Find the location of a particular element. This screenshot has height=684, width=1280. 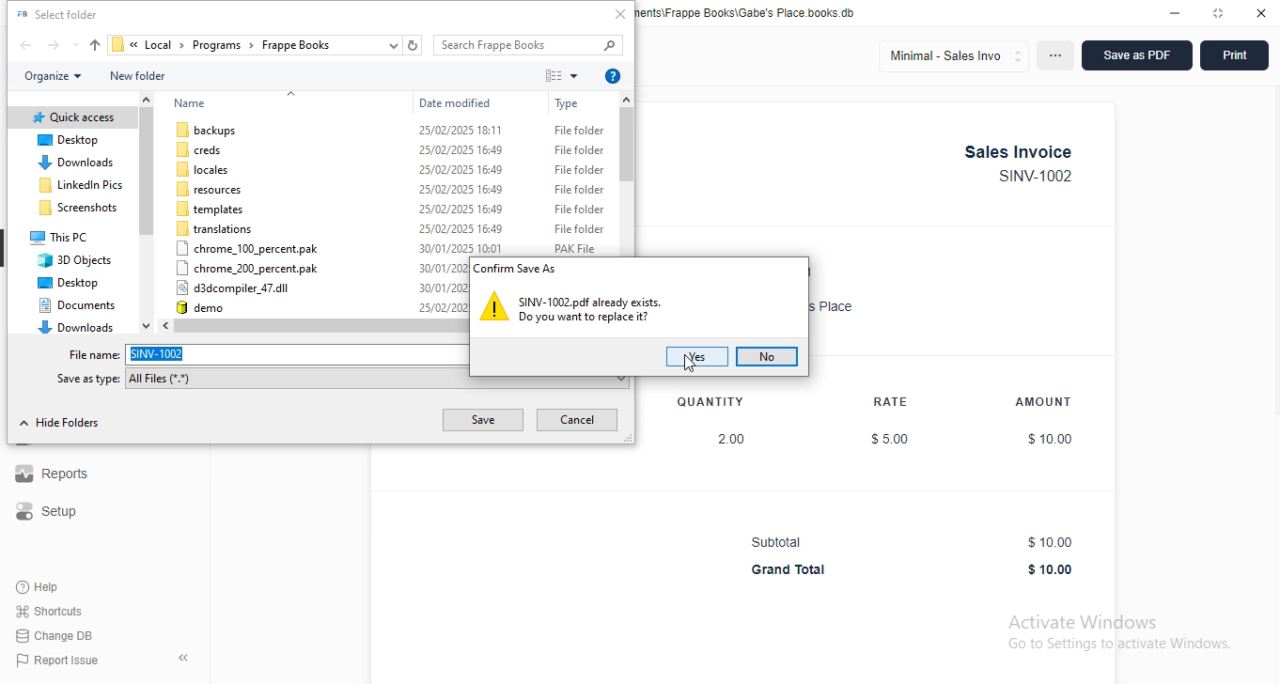

hide folders is located at coordinates (59, 423).